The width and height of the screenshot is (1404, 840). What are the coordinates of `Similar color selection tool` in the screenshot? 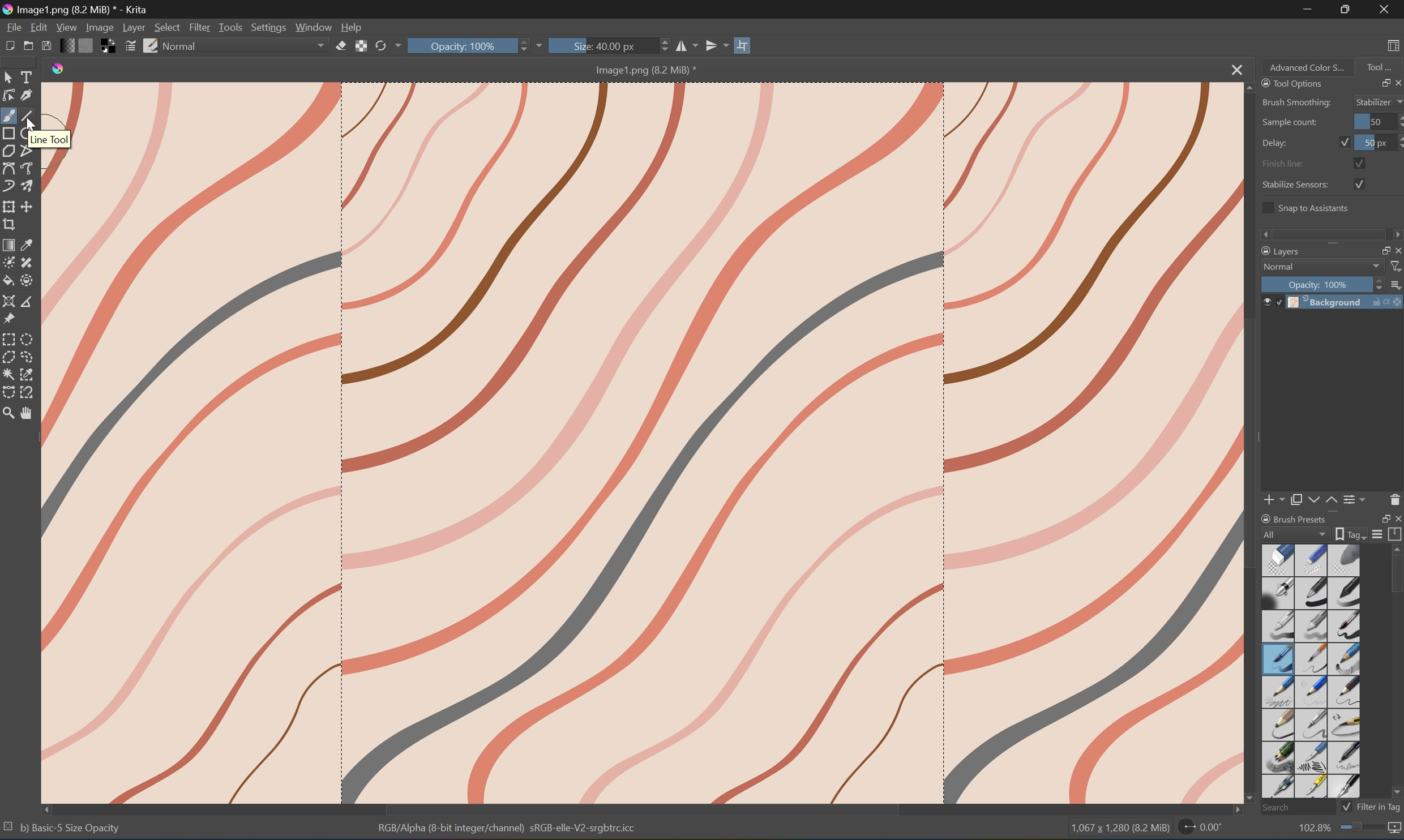 It's located at (28, 374).